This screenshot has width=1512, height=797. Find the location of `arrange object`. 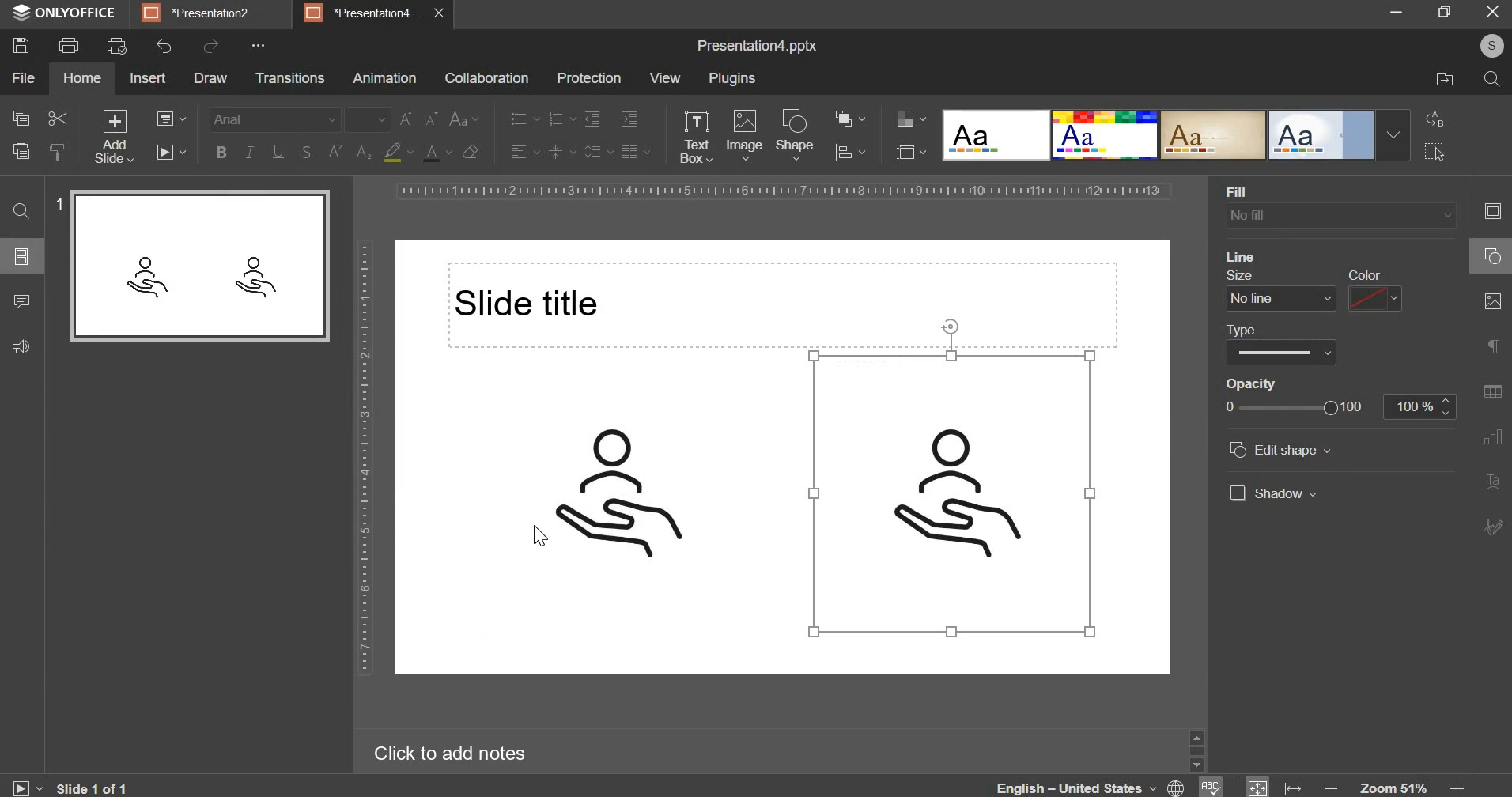

arrange object is located at coordinates (847, 120).